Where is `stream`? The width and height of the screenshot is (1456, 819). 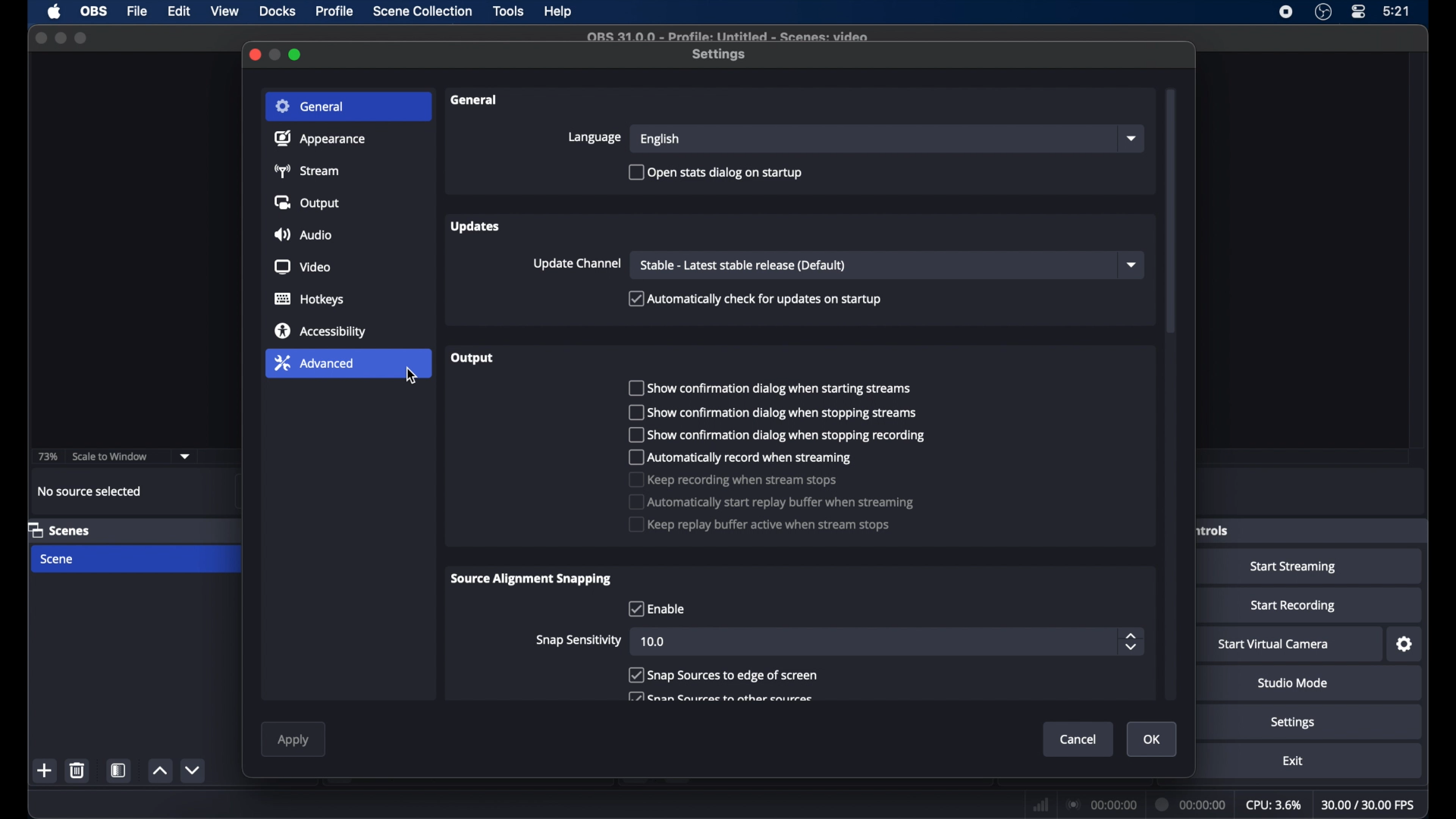
stream is located at coordinates (309, 171).